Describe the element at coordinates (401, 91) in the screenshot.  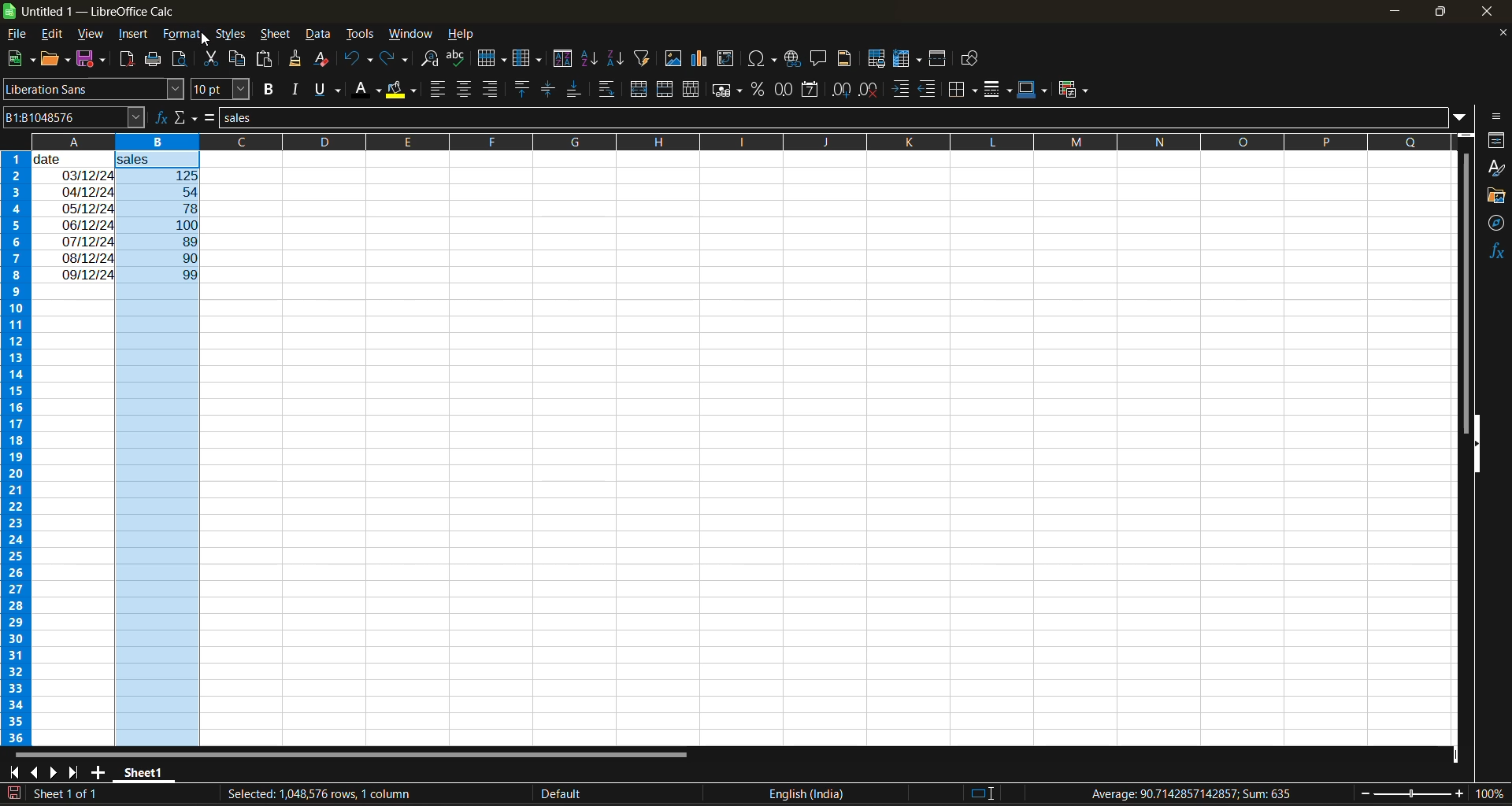
I see `background color` at that location.